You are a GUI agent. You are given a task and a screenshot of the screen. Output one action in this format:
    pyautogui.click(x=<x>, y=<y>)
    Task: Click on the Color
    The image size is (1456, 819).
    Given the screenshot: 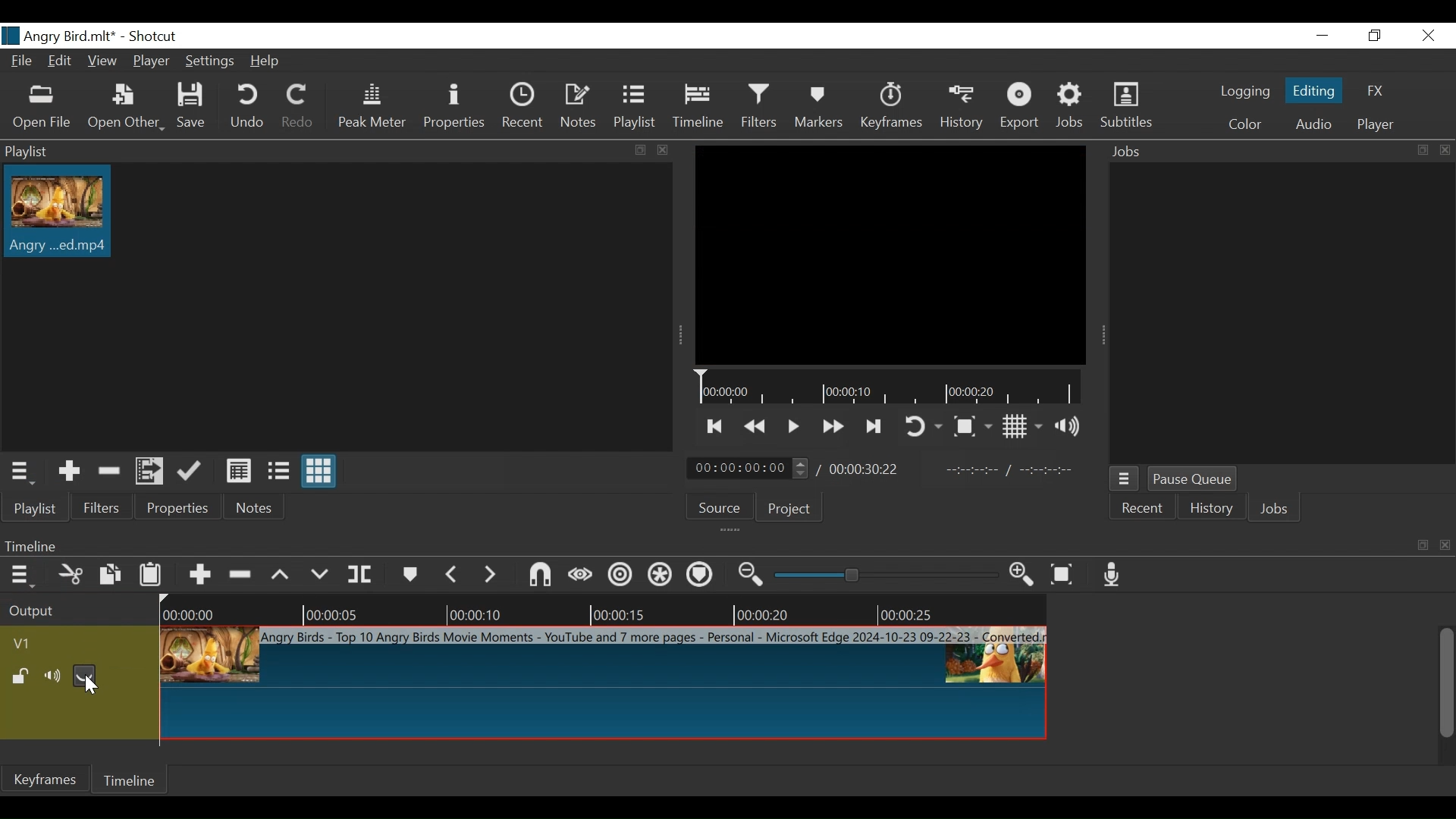 What is the action you would take?
    pyautogui.click(x=1245, y=124)
    